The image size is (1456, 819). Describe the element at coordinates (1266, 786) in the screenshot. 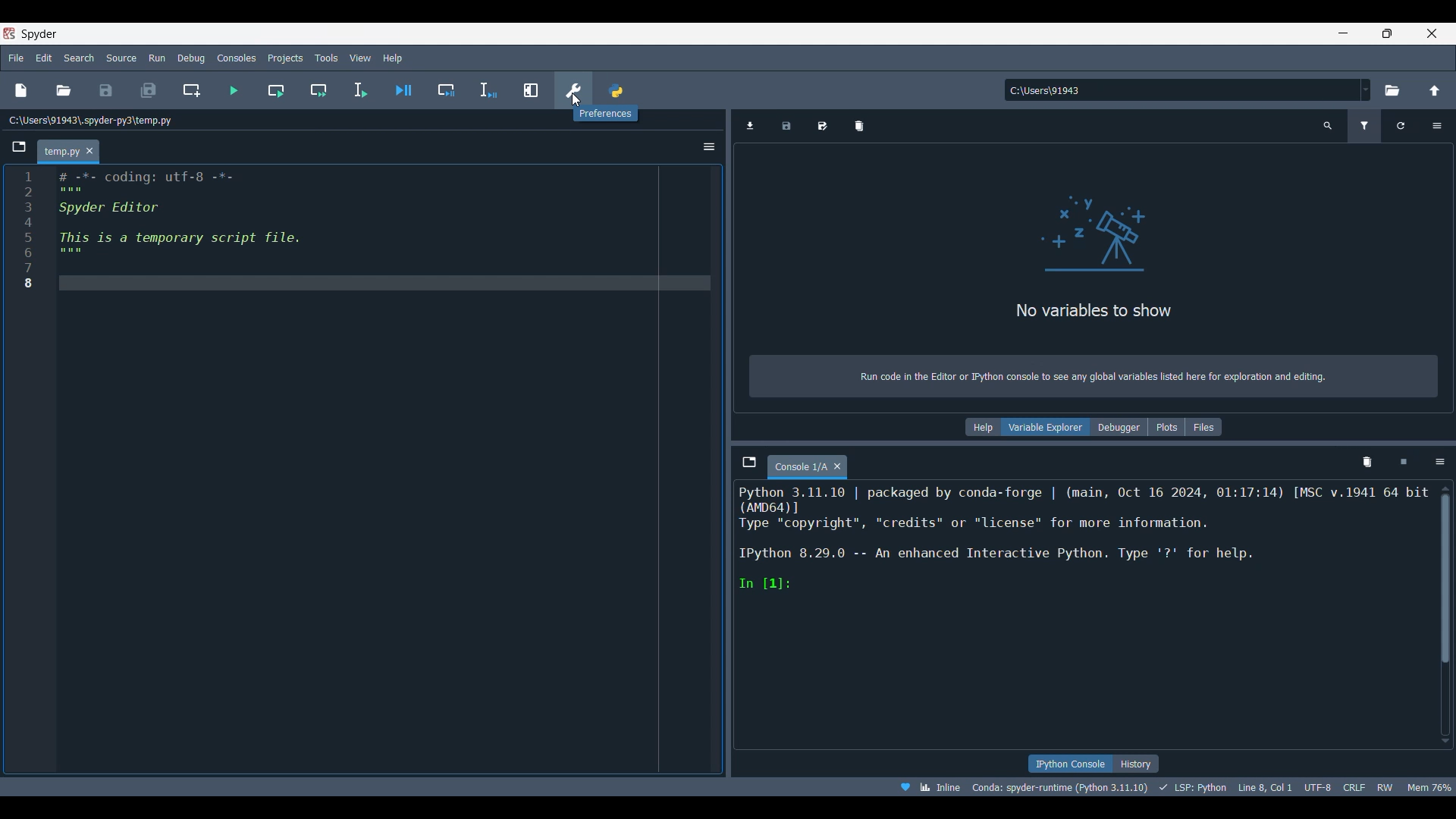

I see `cursor details` at that location.